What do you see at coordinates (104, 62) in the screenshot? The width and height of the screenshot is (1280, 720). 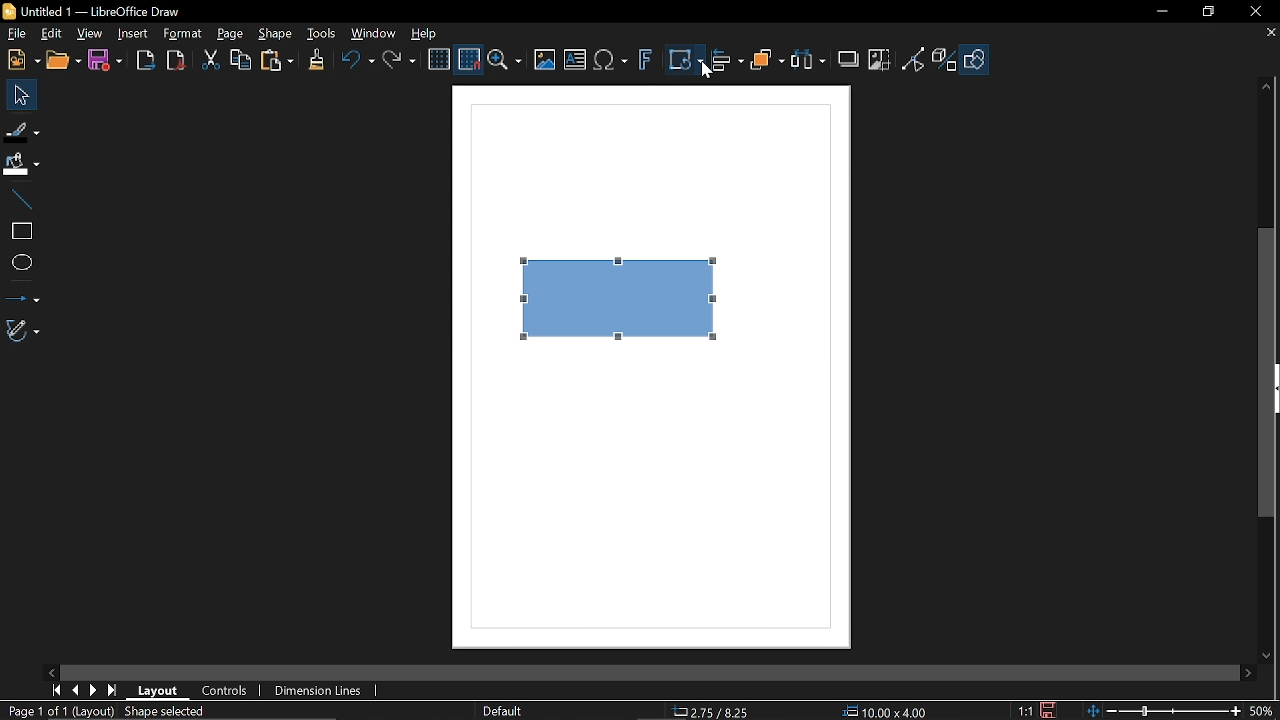 I see `Save` at bounding box center [104, 62].